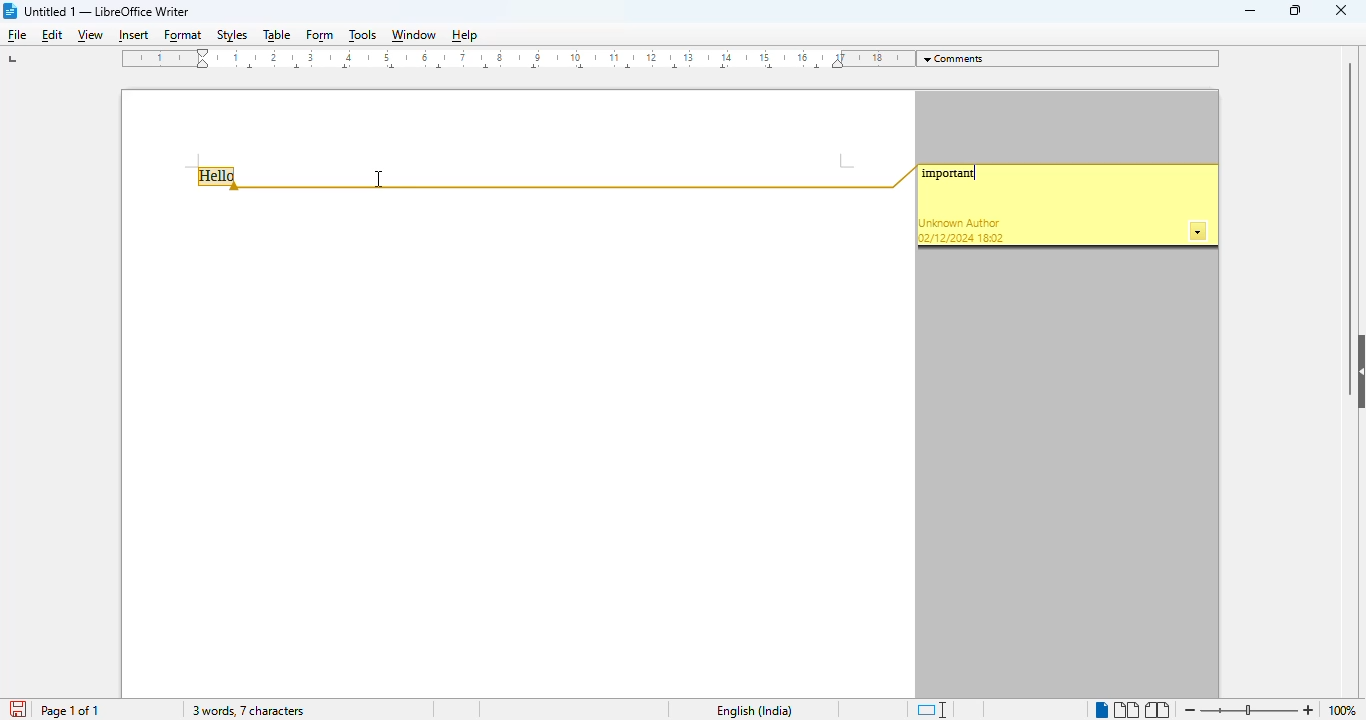 This screenshot has height=720, width=1366. What do you see at coordinates (1199, 232) in the screenshot?
I see `activate this button to open a list of actions which can be performed on this comment and other comments` at bounding box center [1199, 232].